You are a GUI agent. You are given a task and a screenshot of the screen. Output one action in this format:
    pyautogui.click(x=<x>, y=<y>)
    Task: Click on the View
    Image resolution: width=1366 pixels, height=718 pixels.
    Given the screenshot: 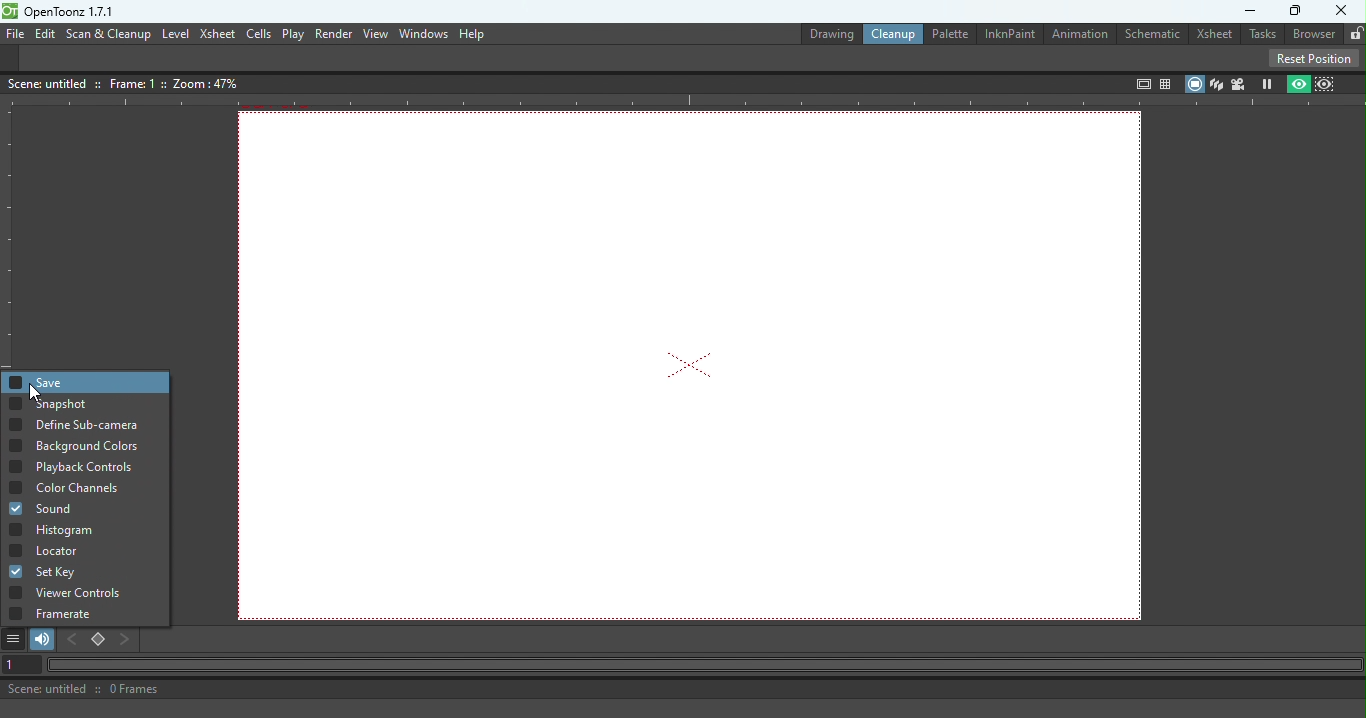 What is the action you would take?
    pyautogui.click(x=375, y=34)
    